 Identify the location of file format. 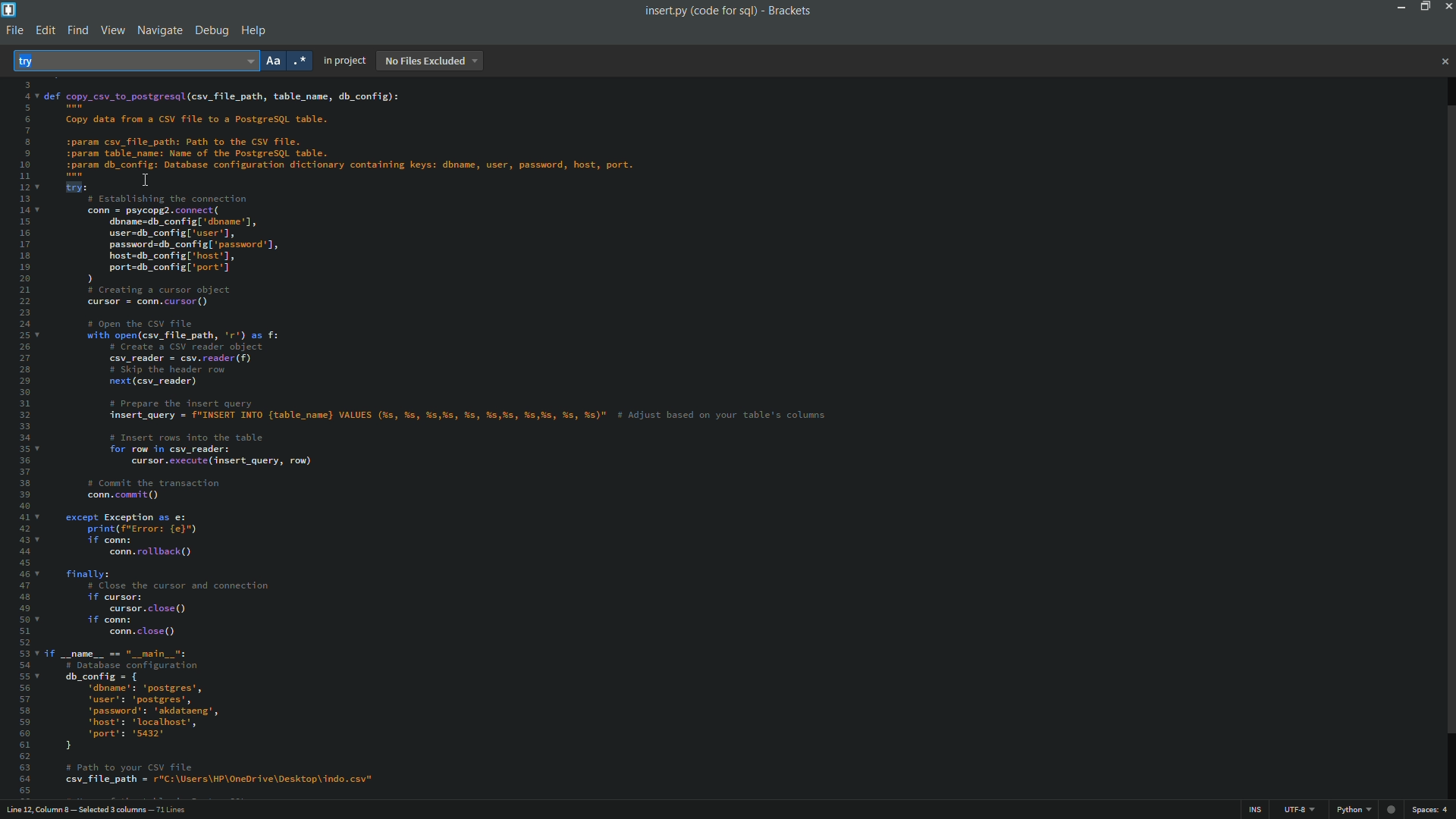
(1357, 811).